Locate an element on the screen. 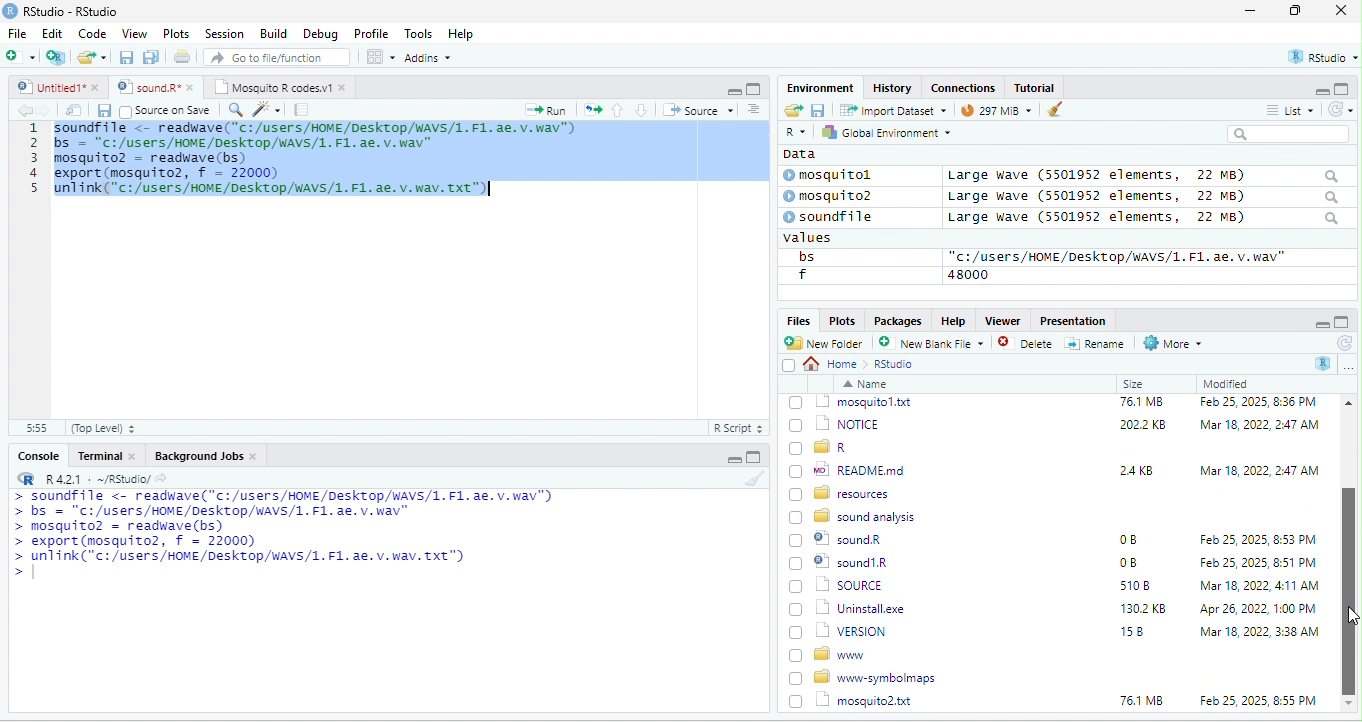  | @] INSTALL is located at coordinates (839, 496).